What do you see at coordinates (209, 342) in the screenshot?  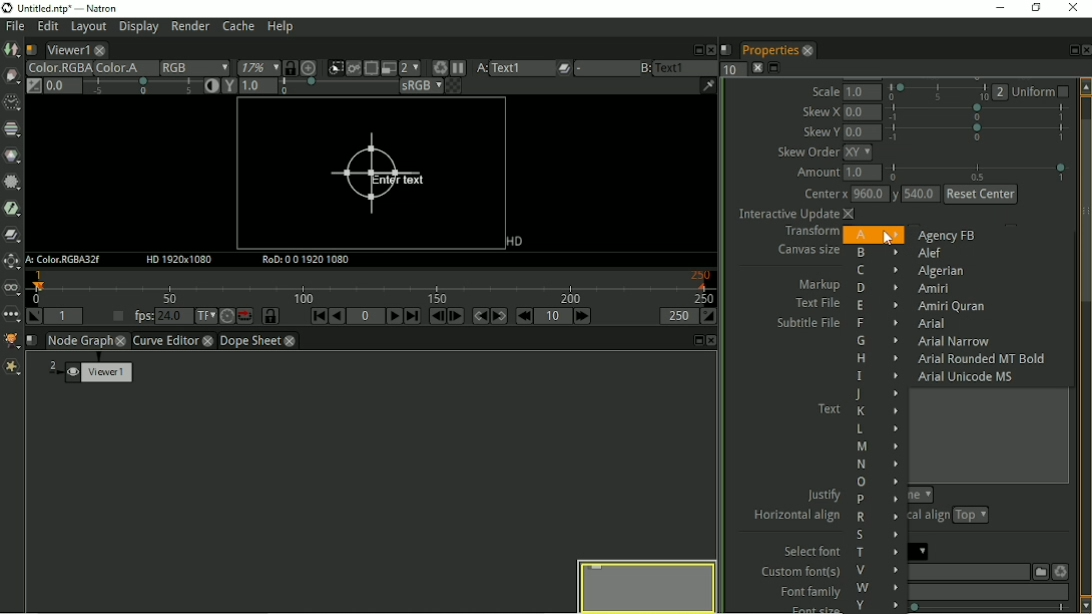 I see `close` at bounding box center [209, 342].